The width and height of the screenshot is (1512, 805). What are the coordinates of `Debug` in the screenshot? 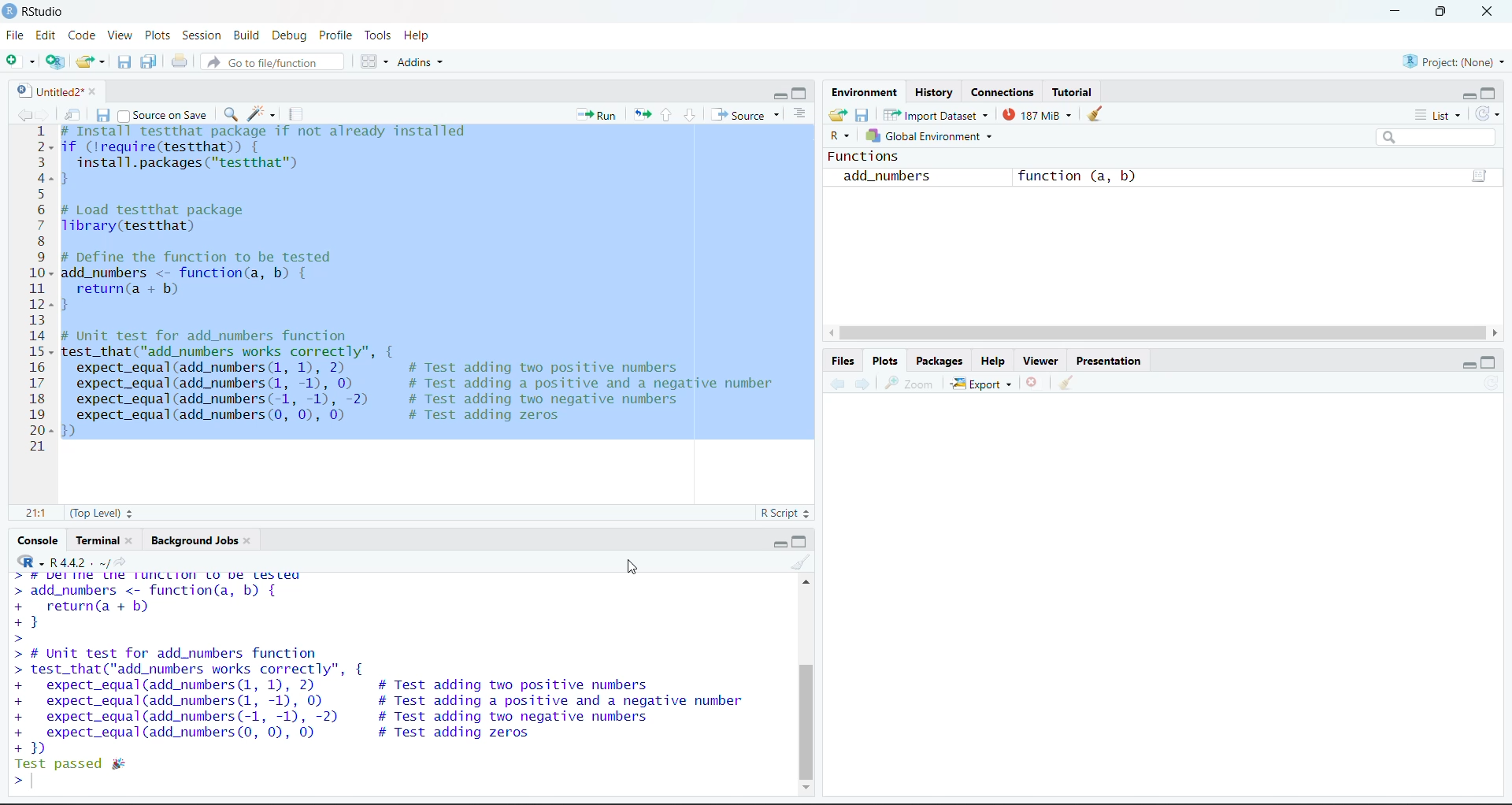 It's located at (289, 35).